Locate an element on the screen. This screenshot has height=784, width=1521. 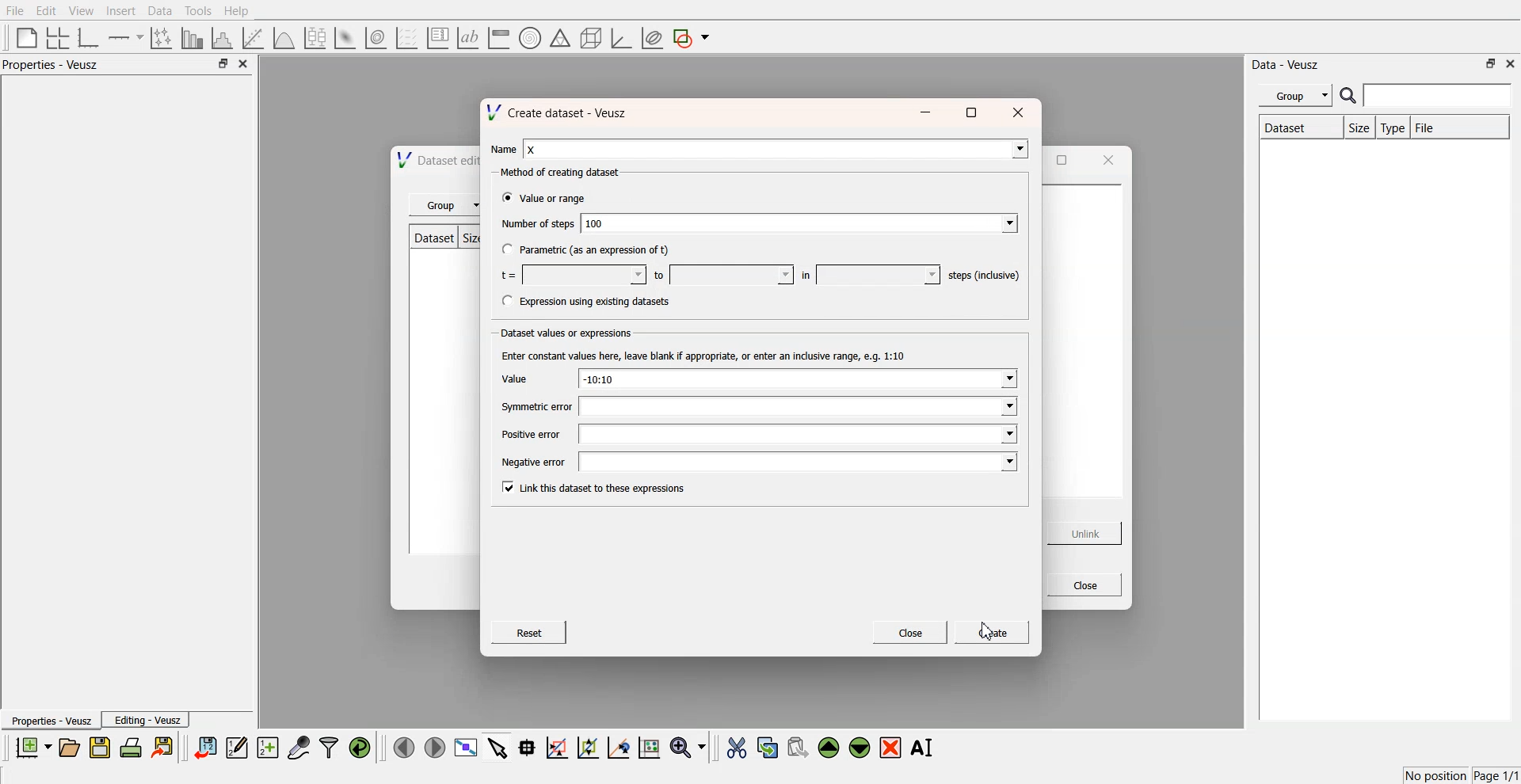
reload the data points is located at coordinates (360, 748).